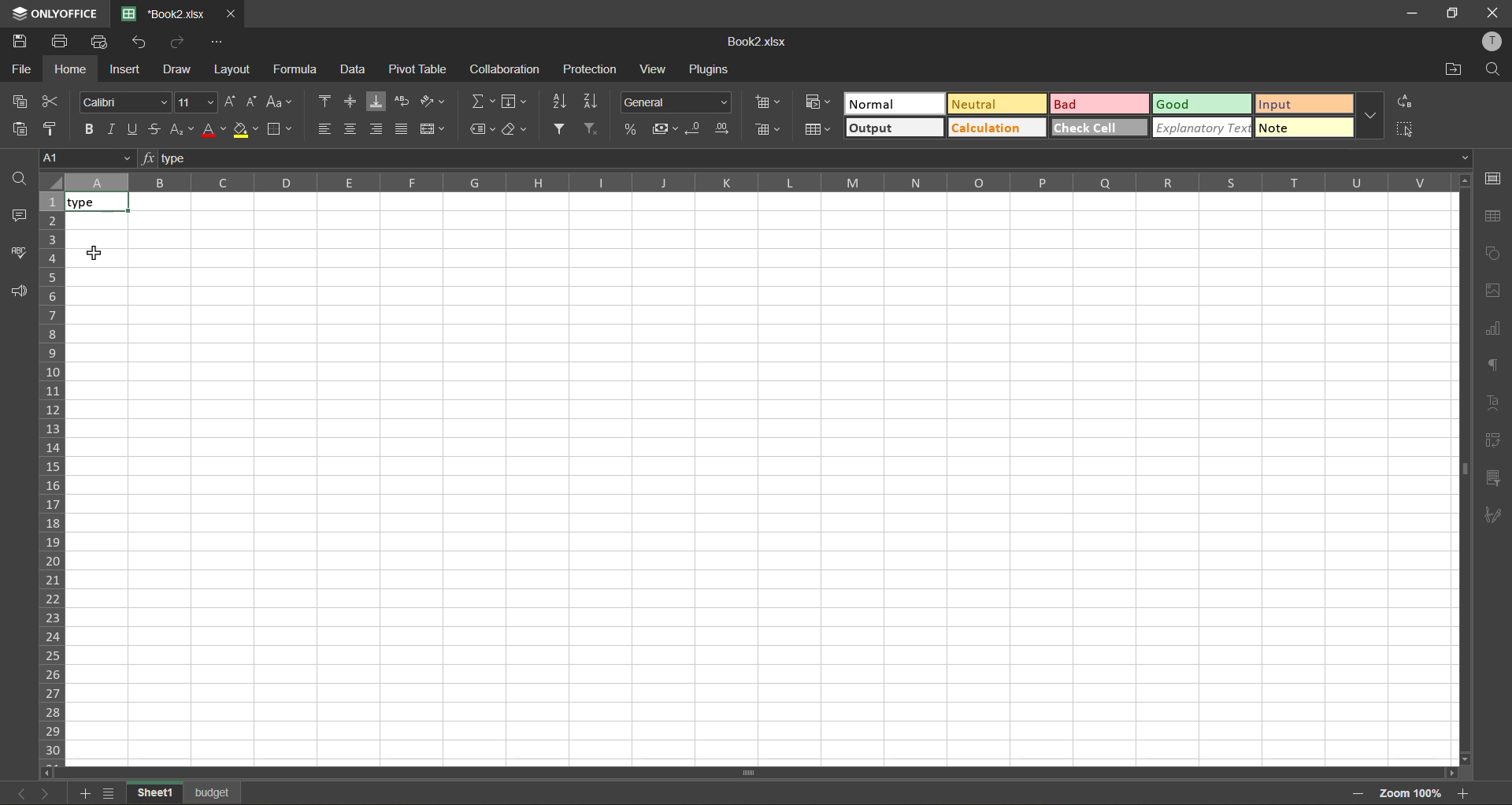  Describe the element at coordinates (221, 43) in the screenshot. I see `customize quick access toolbar` at that location.